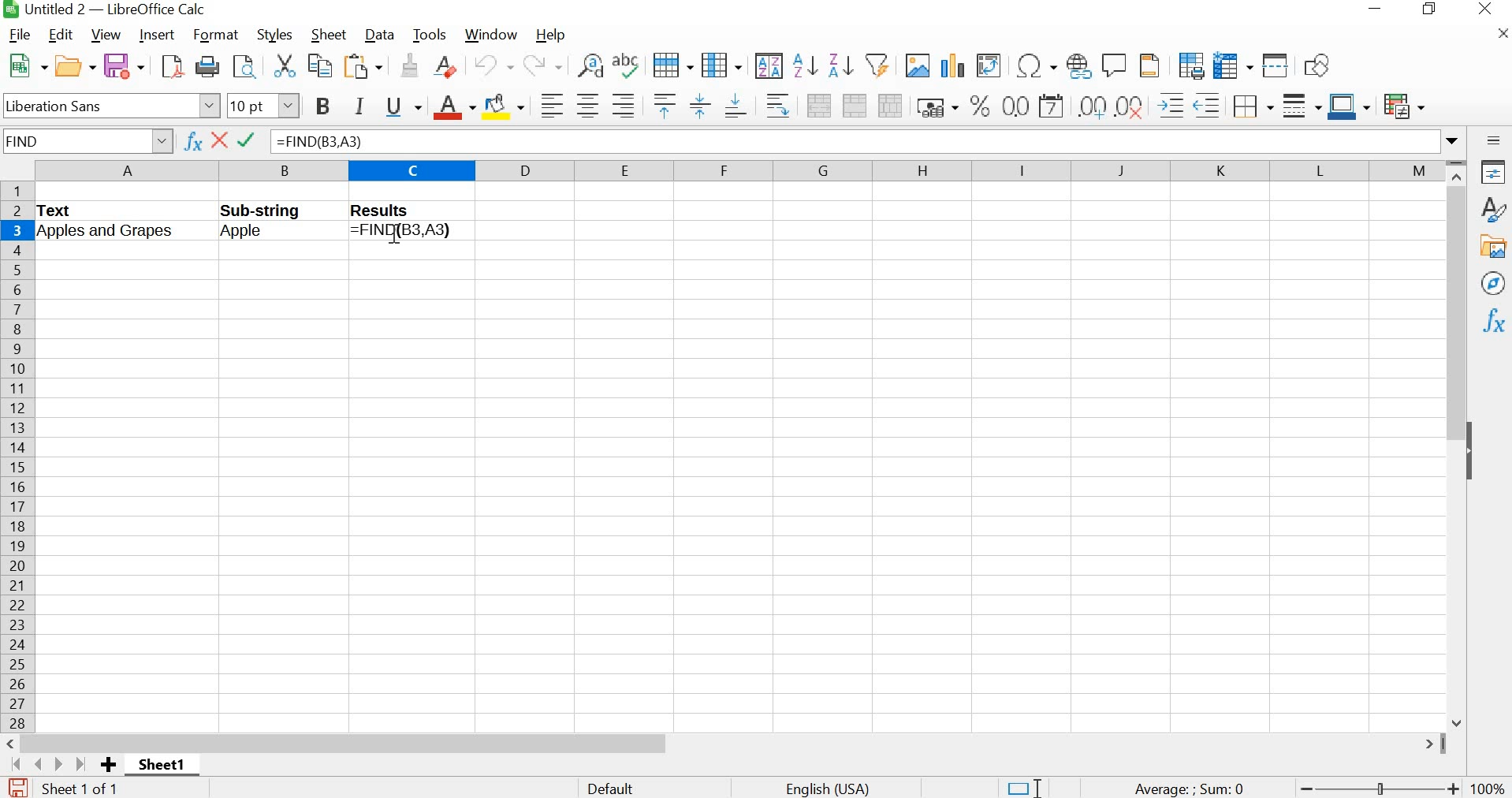 The height and width of the screenshot is (798, 1512). Describe the element at coordinates (1190, 64) in the screenshot. I see `define print area` at that location.